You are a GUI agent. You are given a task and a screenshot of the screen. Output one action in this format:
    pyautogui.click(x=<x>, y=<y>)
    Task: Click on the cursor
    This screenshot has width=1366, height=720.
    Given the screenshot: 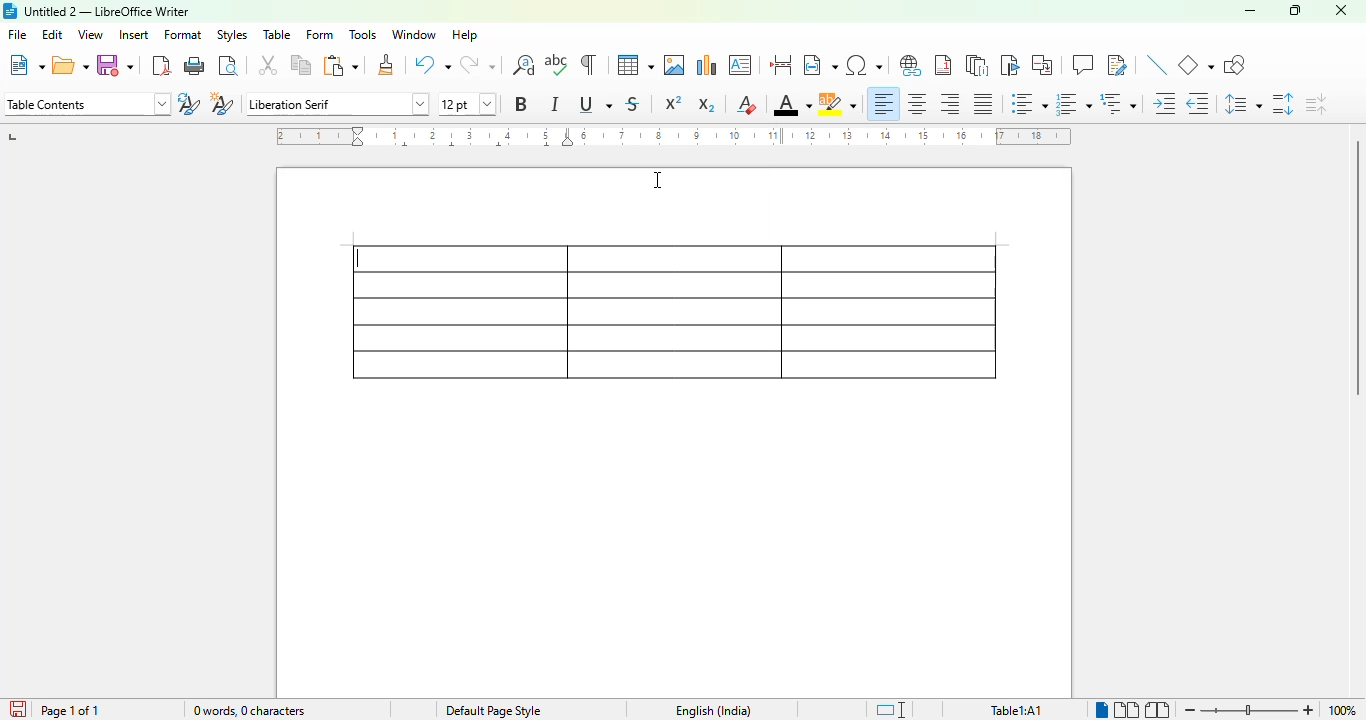 What is the action you would take?
    pyautogui.click(x=658, y=181)
    